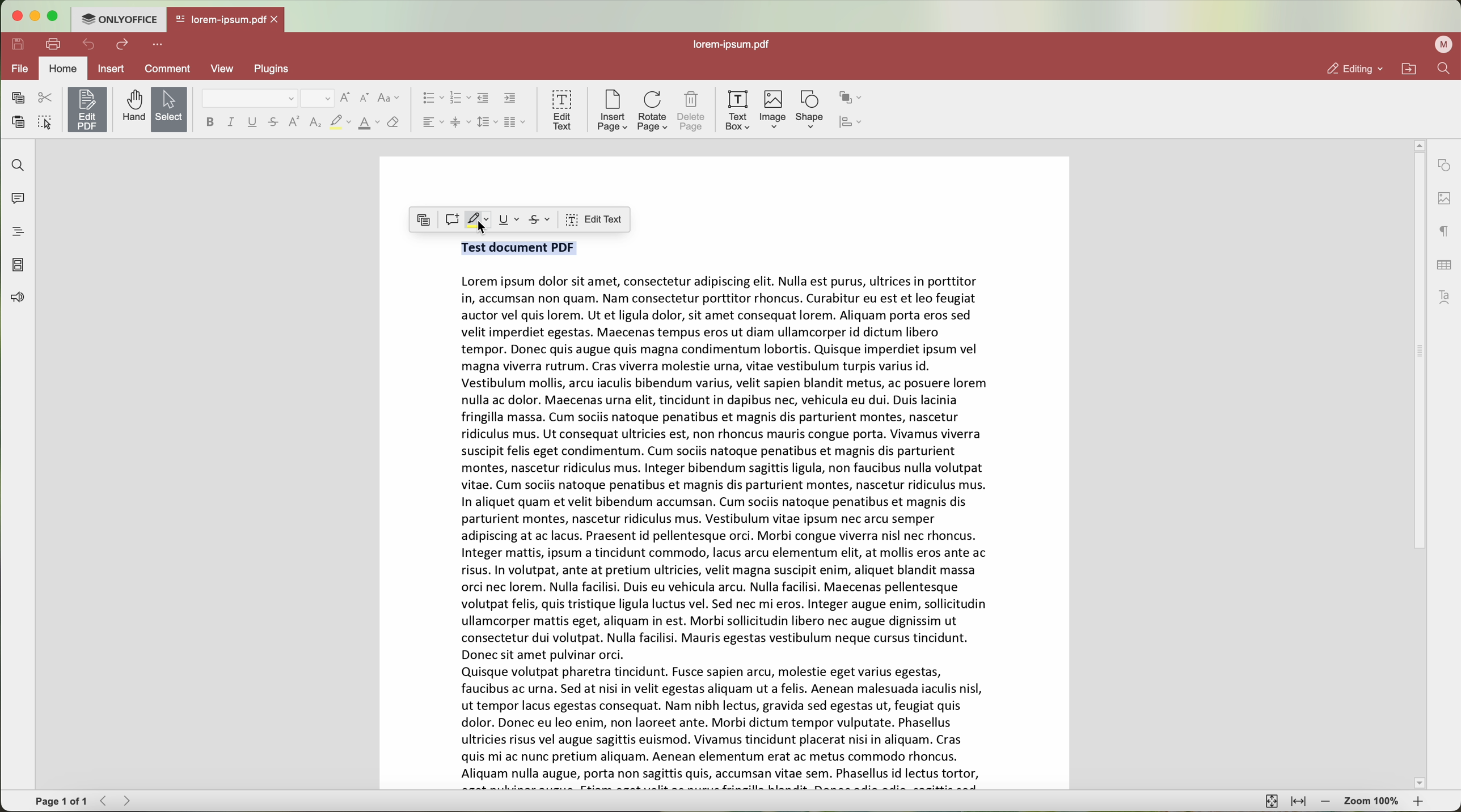 Image resolution: width=1461 pixels, height=812 pixels. I want to click on highlight color, so click(340, 123).